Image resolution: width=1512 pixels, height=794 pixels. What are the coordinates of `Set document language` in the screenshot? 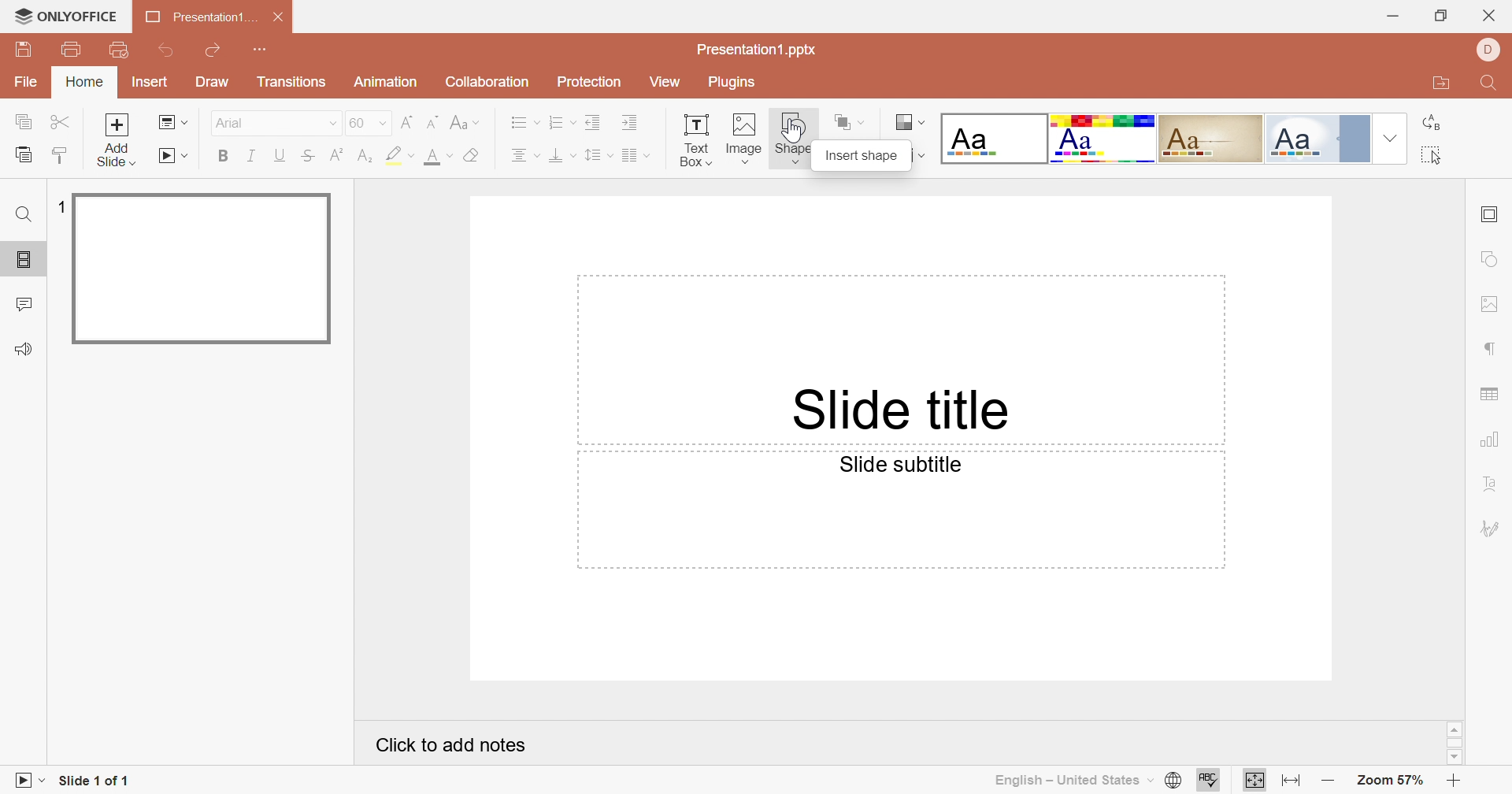 It's located at (1174, 781).